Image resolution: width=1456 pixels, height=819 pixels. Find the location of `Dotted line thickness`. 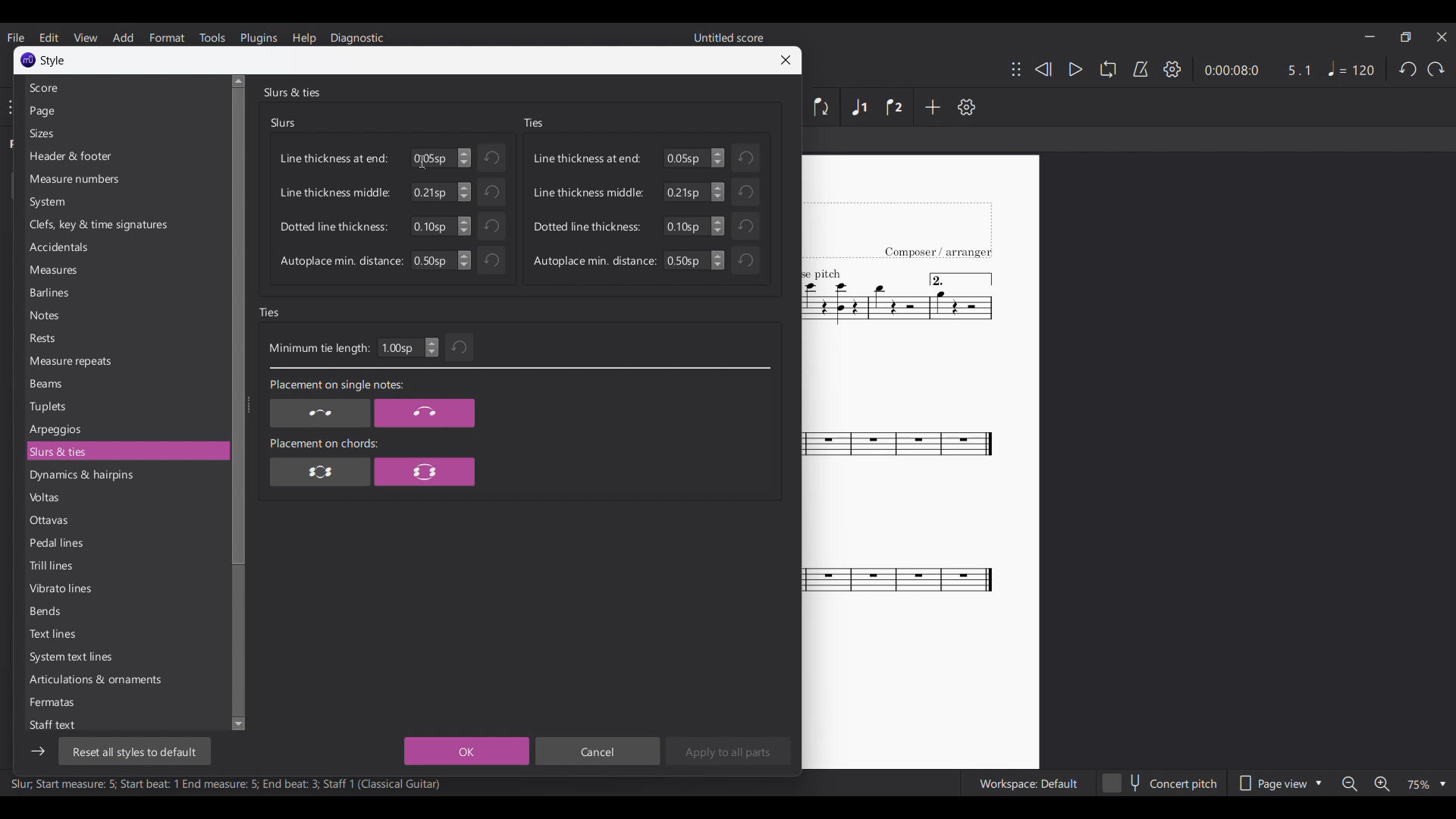

Dotted line thickness is located at coordinates (588, 226).